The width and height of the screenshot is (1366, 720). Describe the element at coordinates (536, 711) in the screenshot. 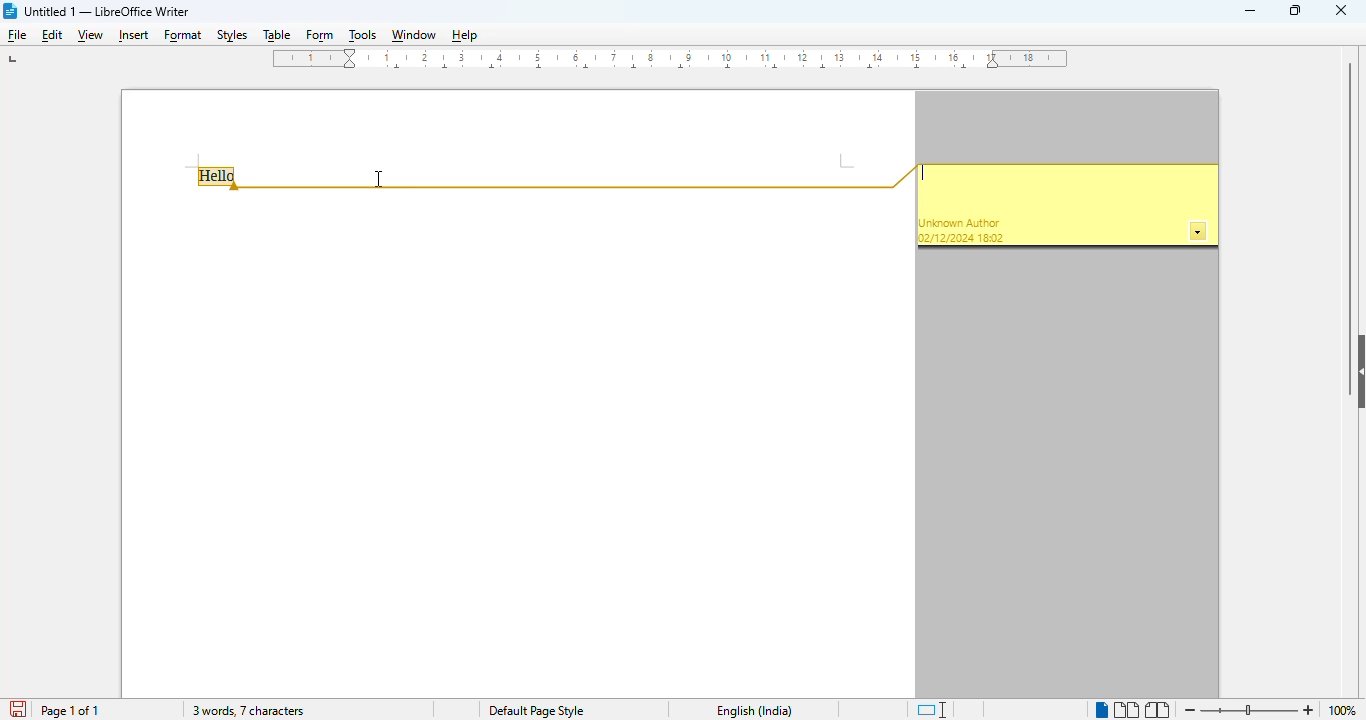

I see `page style` at that location.